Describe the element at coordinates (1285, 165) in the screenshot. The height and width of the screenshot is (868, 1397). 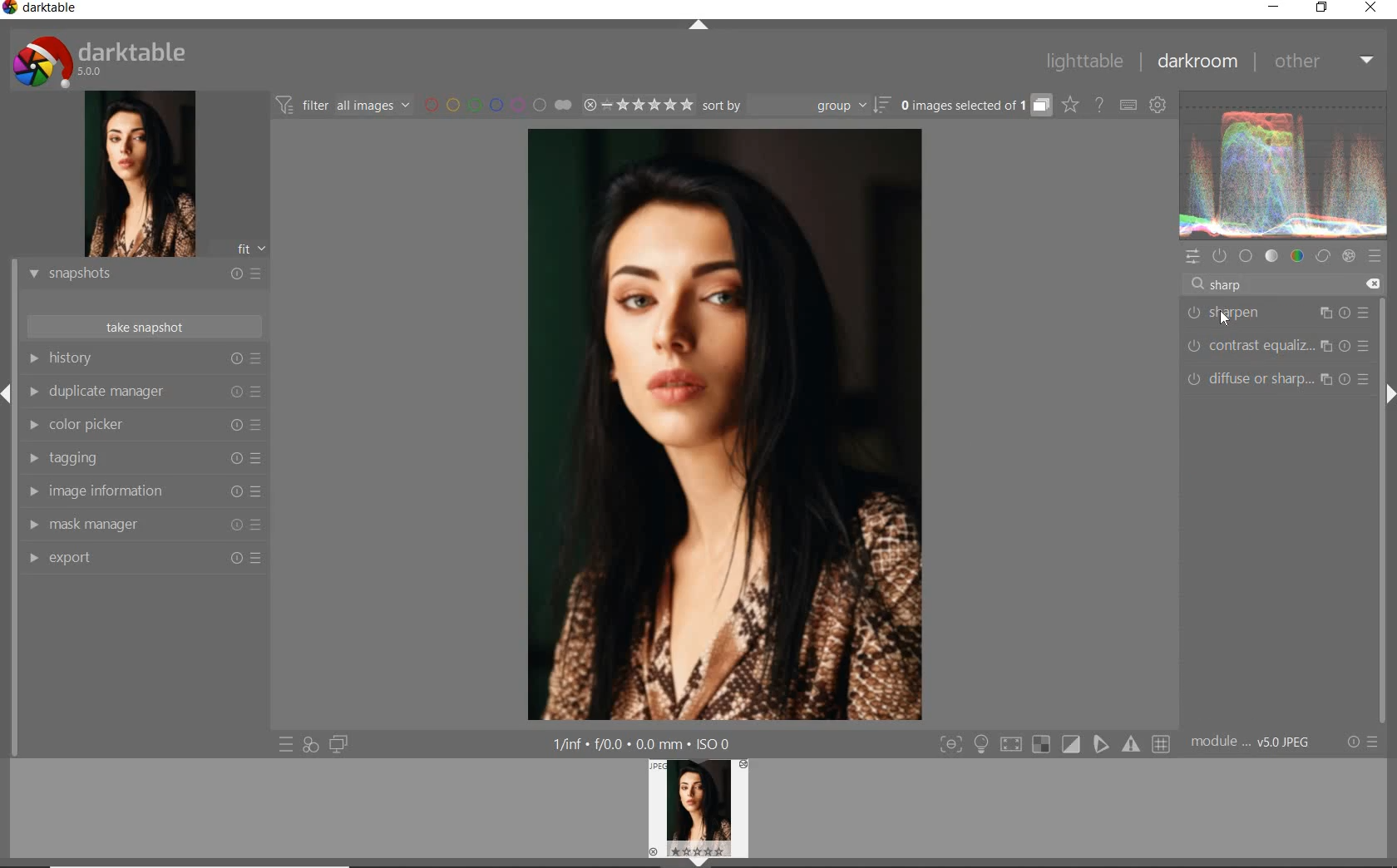
I see `WAVEFORM` at that location.